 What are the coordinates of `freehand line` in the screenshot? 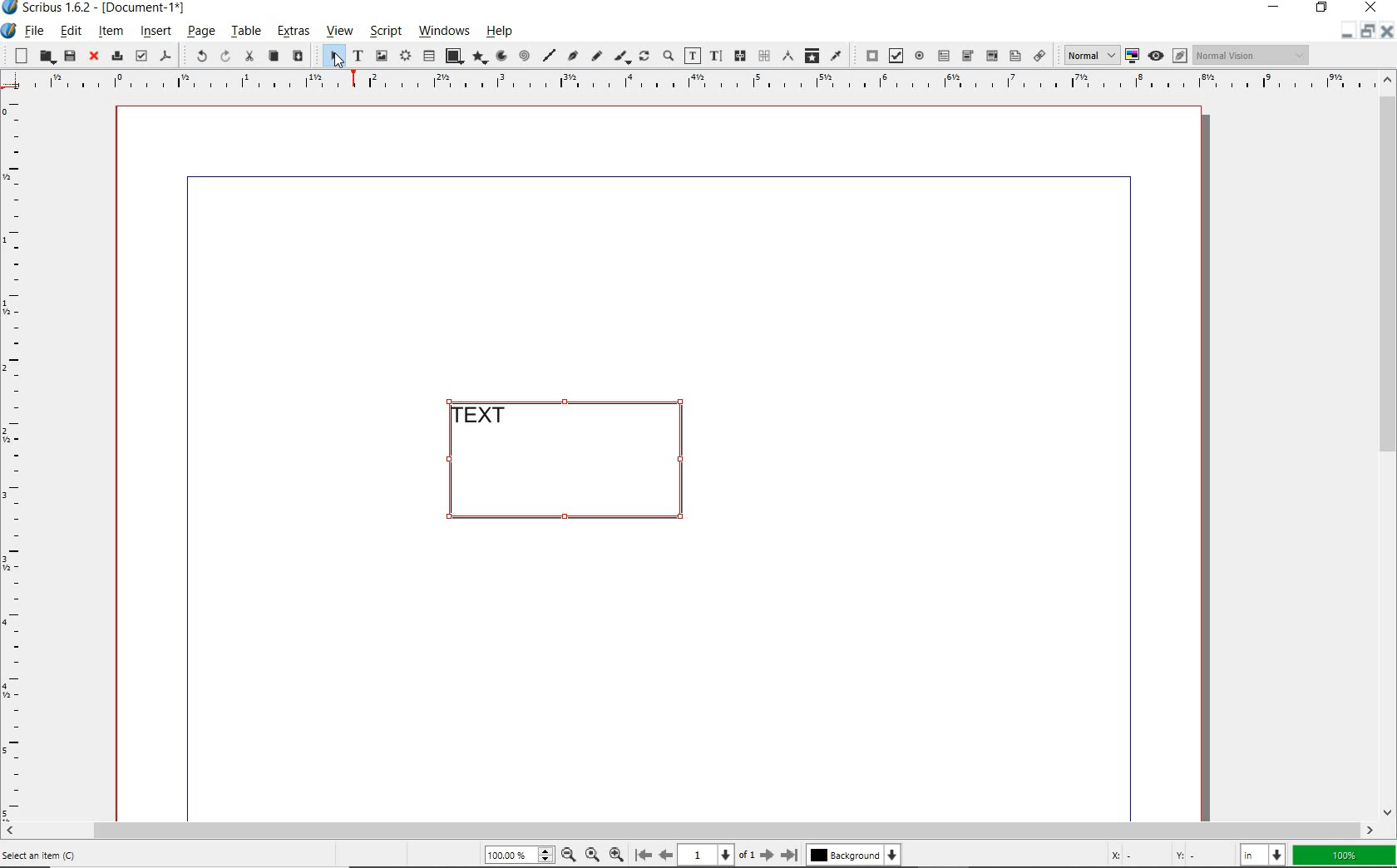 It's located at (597, 57).